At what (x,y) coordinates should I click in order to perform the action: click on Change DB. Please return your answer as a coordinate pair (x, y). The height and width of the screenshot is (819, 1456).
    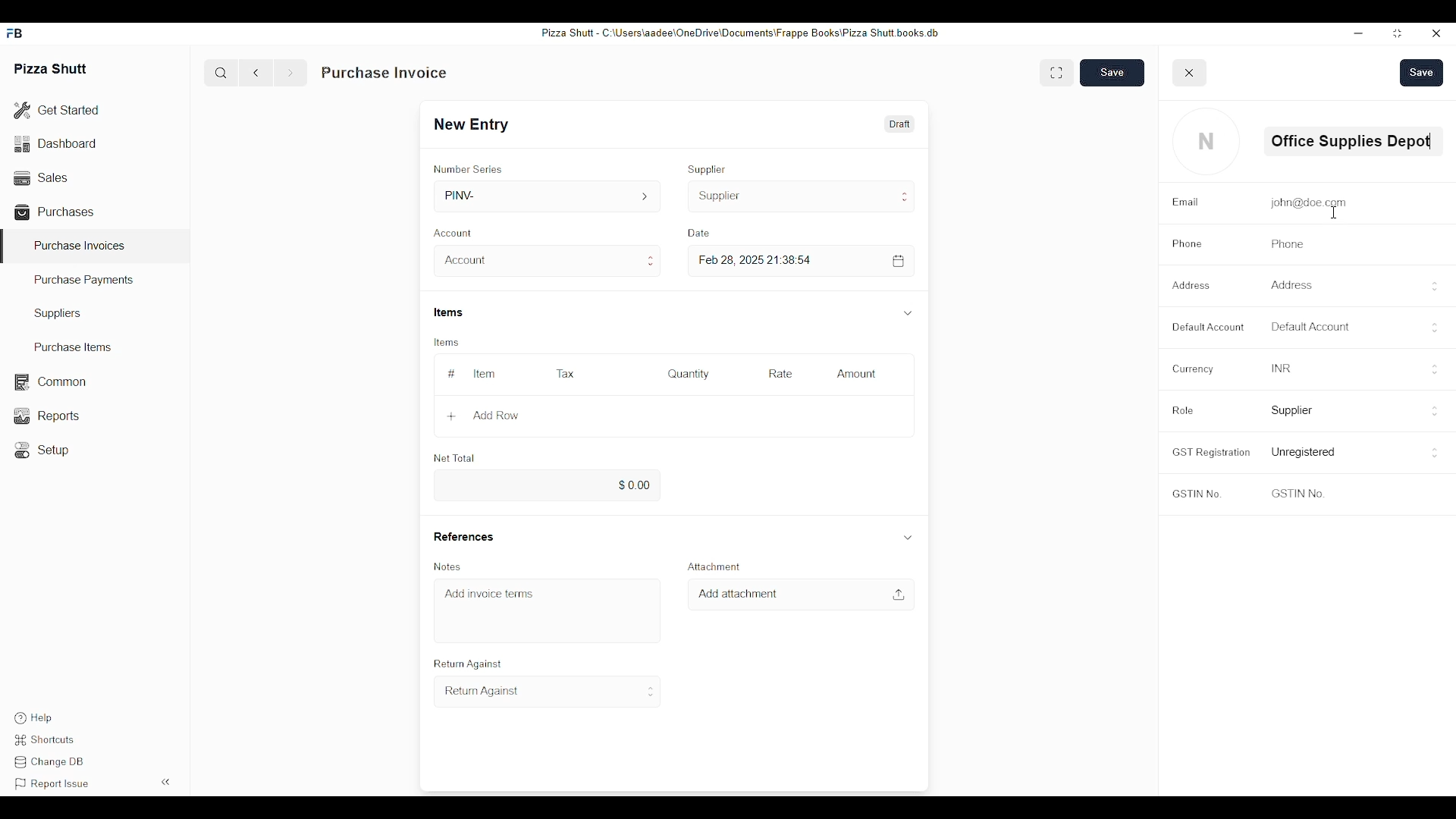
    Looking at the image, I should click on (52, 764).